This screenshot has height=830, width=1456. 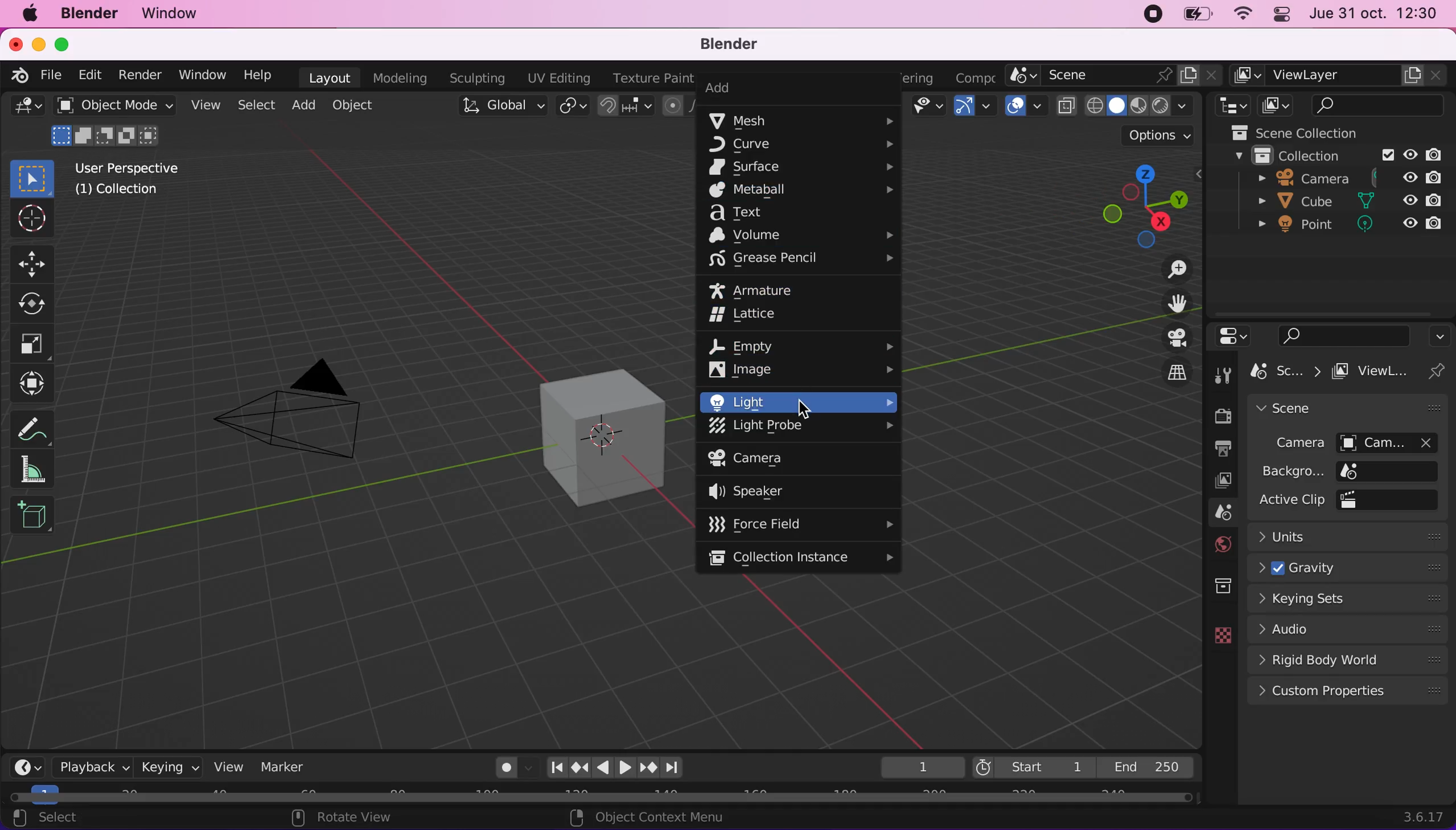 I want to click on grease pencil, so click(x=801, y=259).